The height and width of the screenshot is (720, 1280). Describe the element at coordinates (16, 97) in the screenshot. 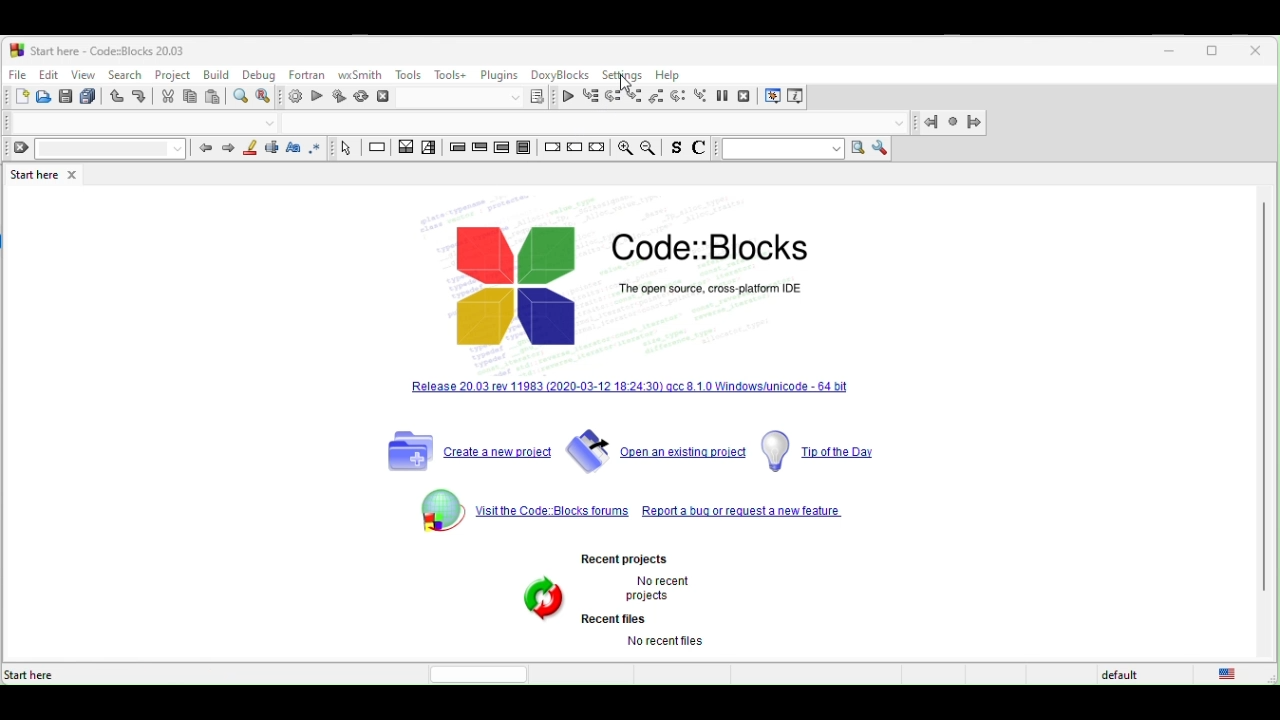

I see `new` at that location.